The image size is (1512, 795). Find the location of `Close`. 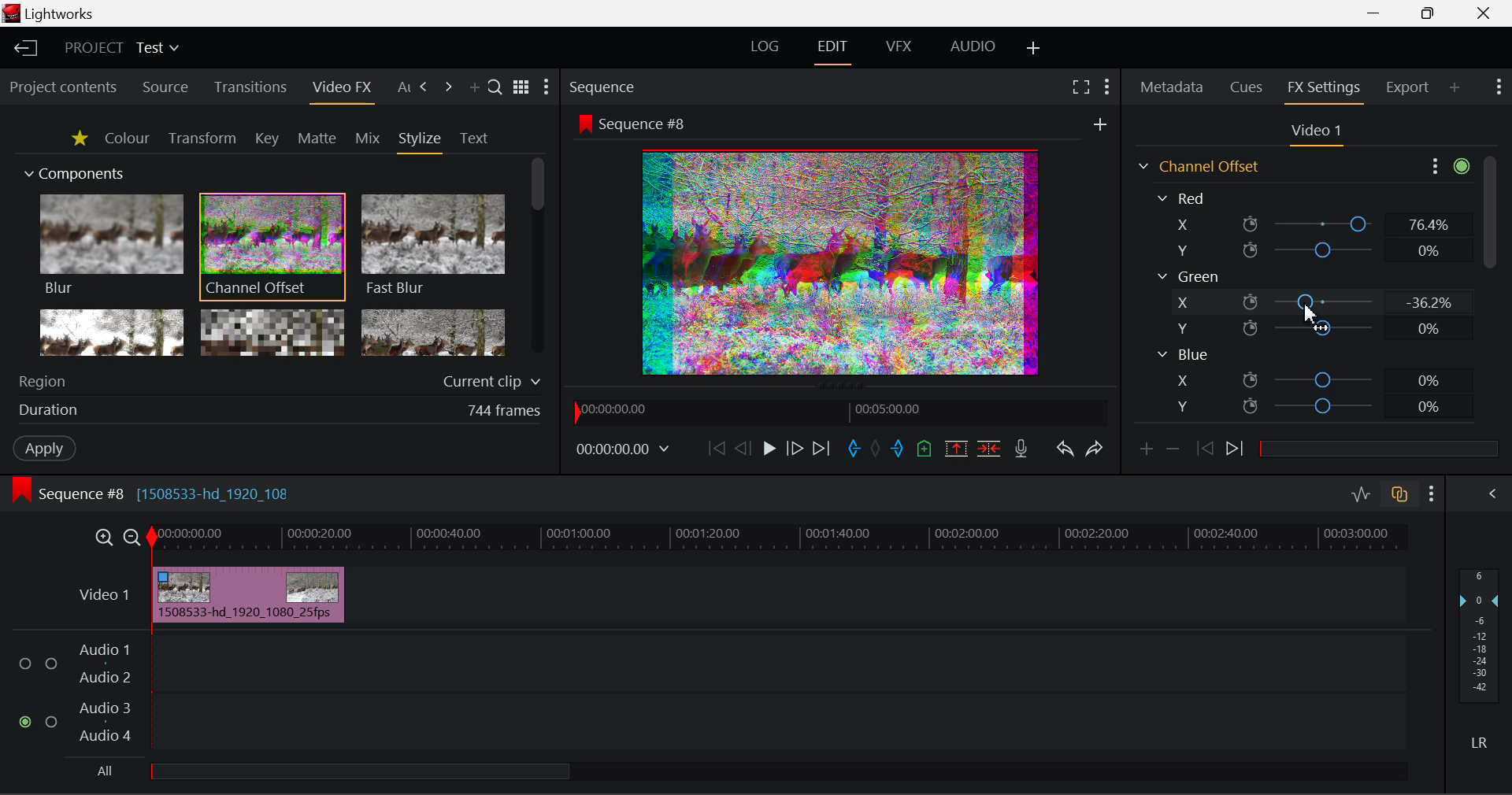

Close is located at coordinates (1483, 14).